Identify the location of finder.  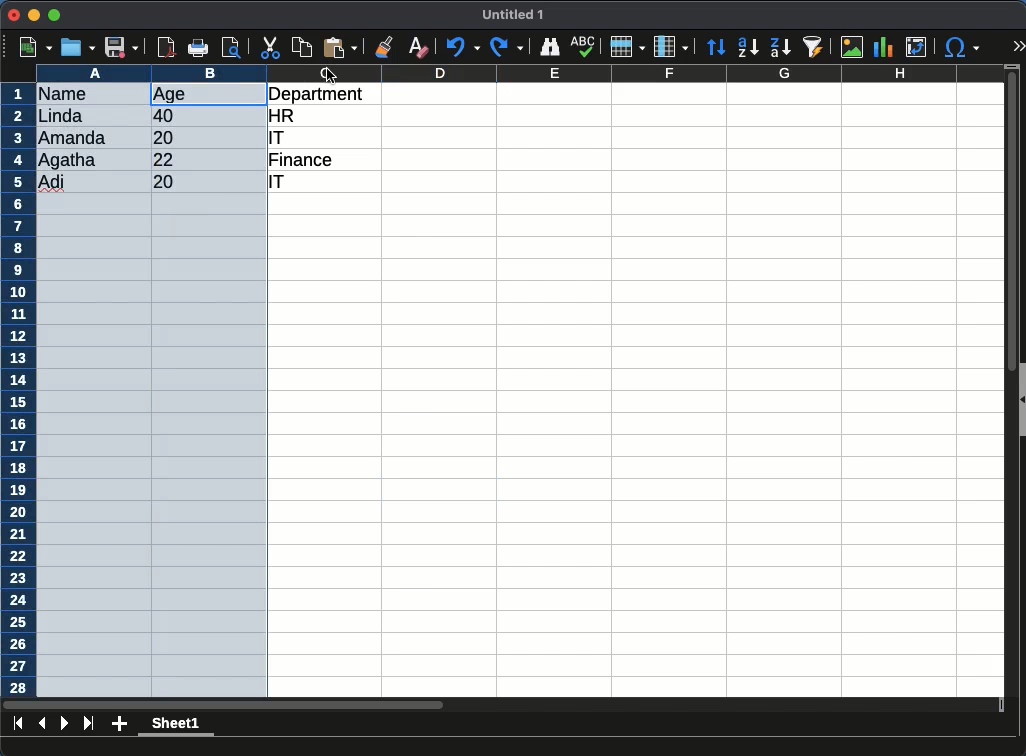
(552, 47).